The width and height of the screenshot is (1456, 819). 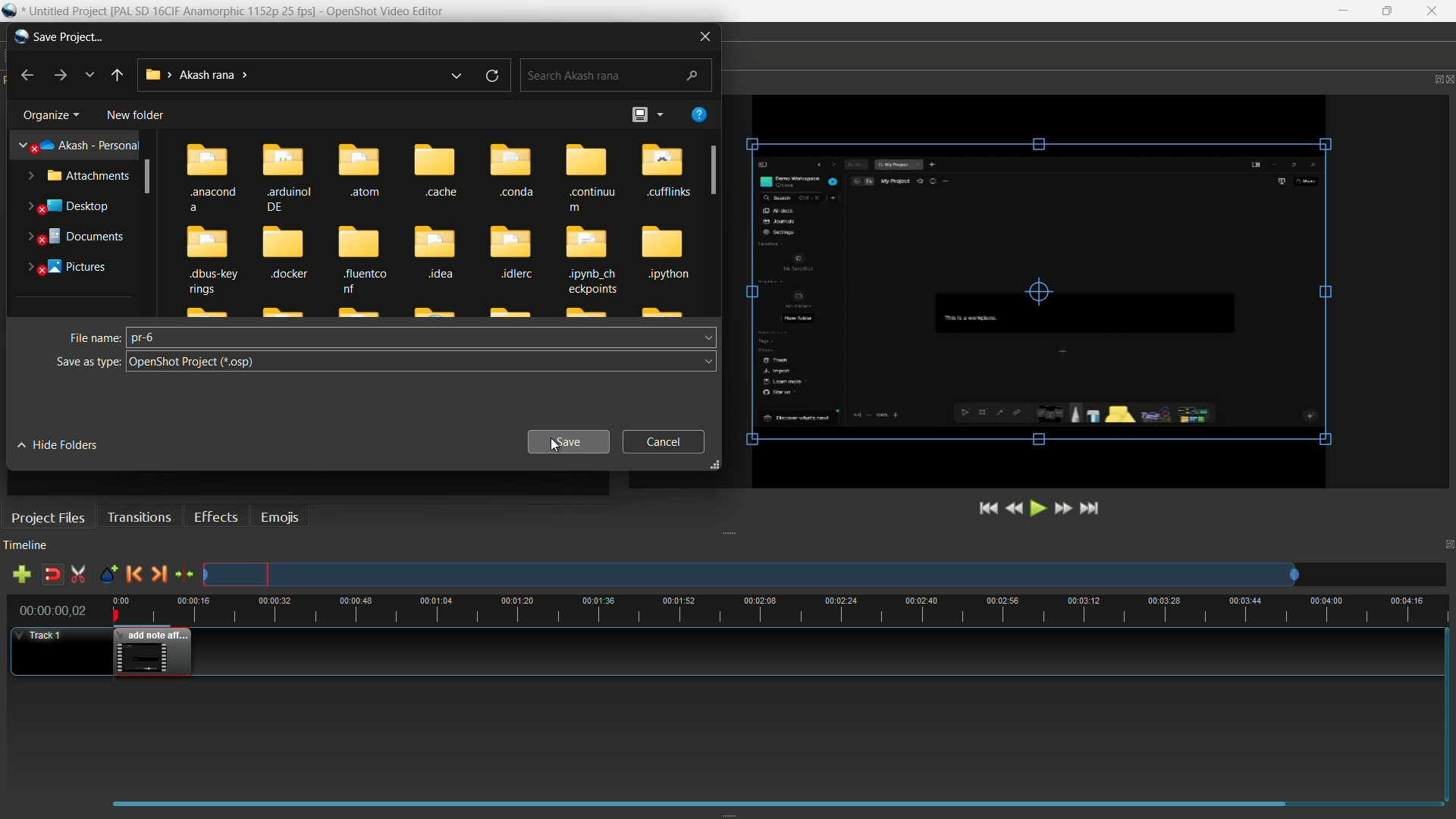 I want to click on minimize, so click(x=1344, y=11).